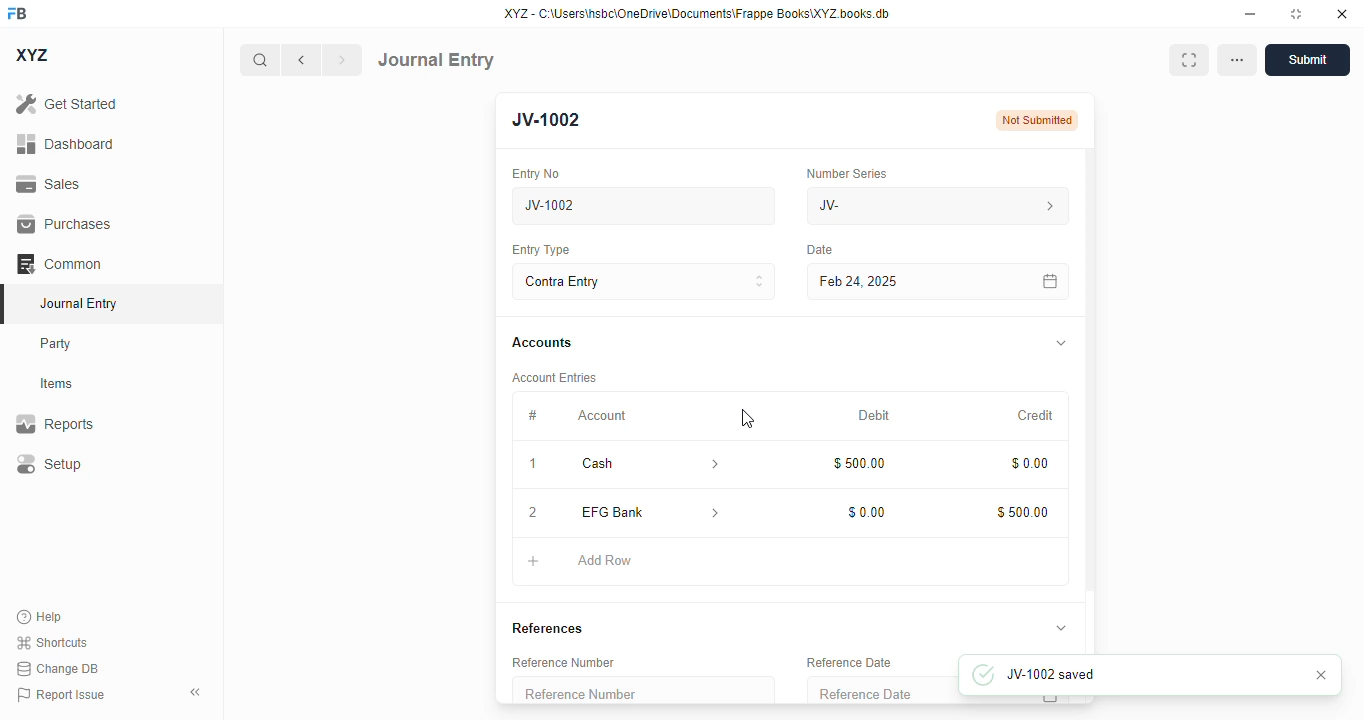 The image size is (1364, 720). I want to click on change DB, so click(57, 668).